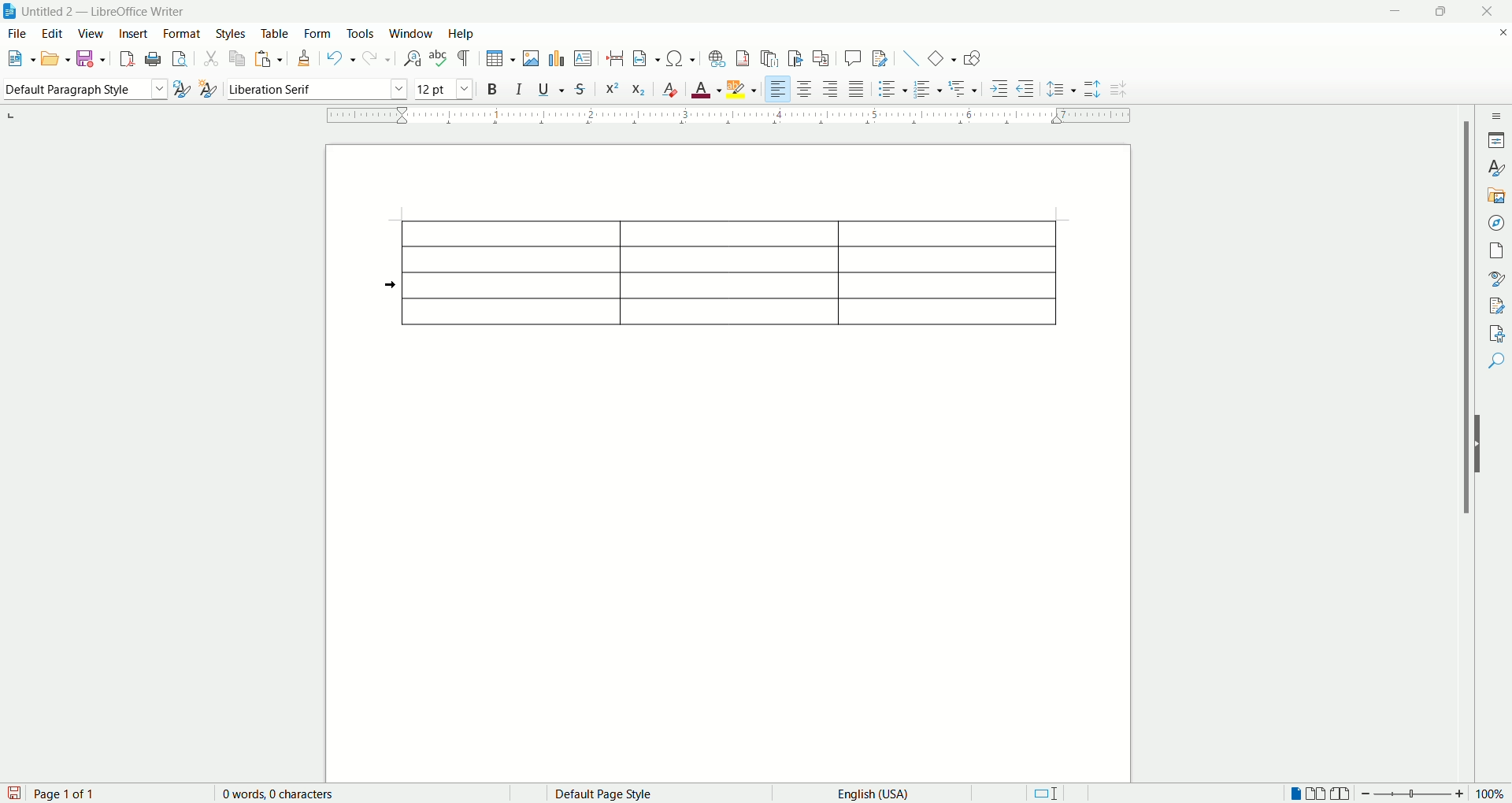 Image resolution: width=1512 pixels, height=803 pixels. What do you see at coordinates (92, 35) in the screenshot?
I see `view` at bounding box center [92, 35].